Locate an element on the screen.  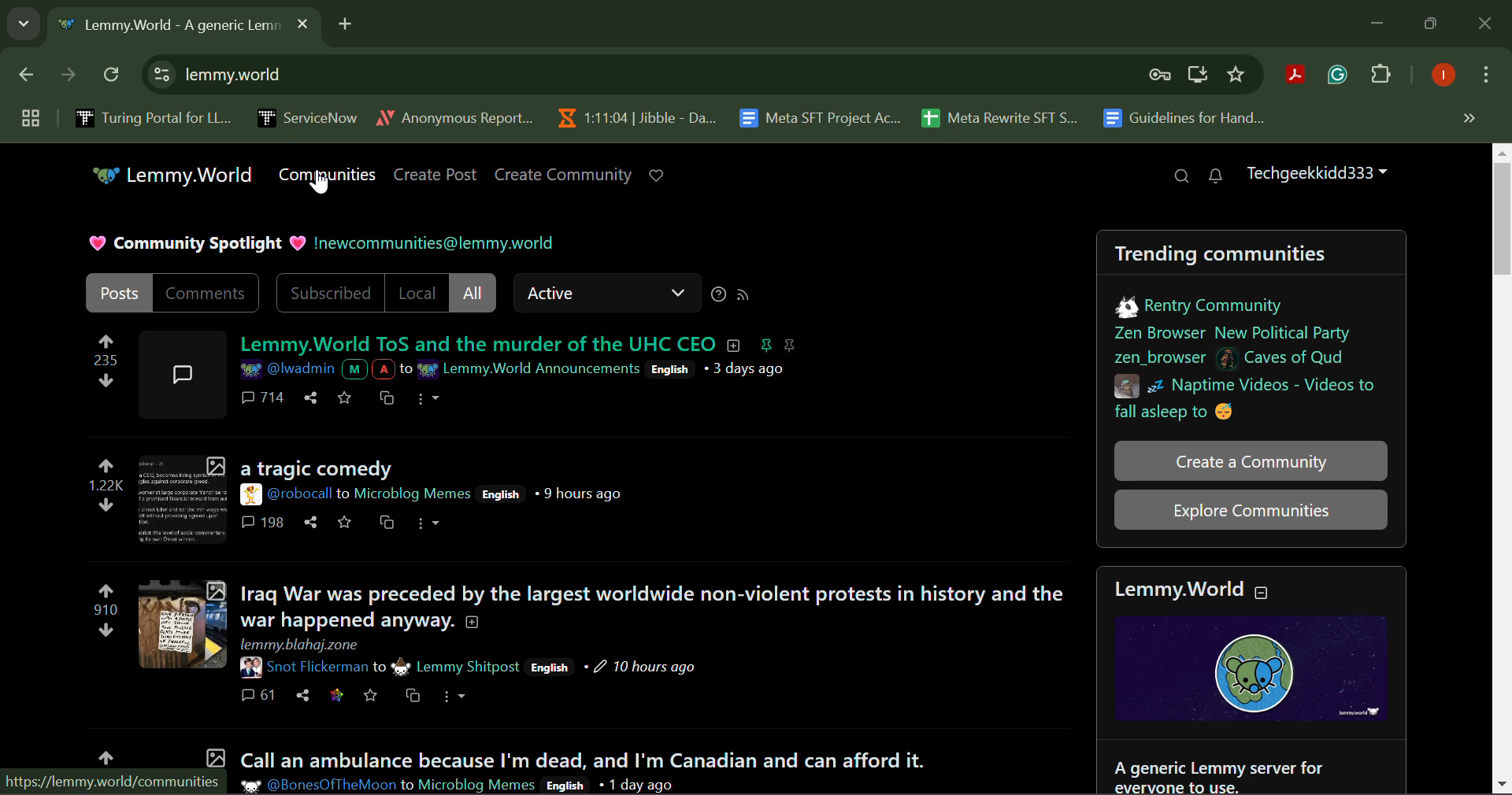
Turing Portal for LLM is located at coordinates (150, 117).